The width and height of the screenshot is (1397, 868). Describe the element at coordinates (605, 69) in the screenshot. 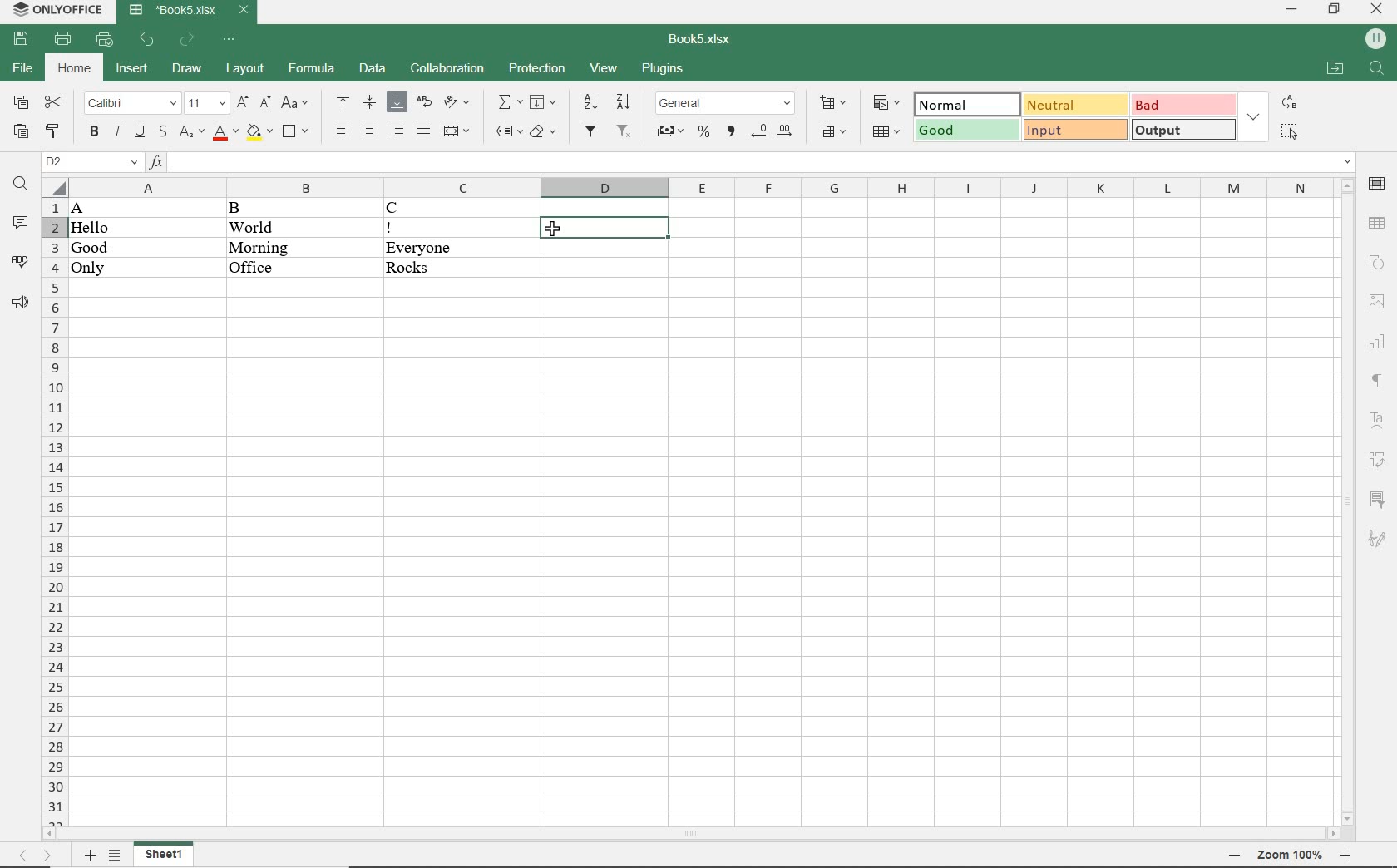

I see `view` at that location.